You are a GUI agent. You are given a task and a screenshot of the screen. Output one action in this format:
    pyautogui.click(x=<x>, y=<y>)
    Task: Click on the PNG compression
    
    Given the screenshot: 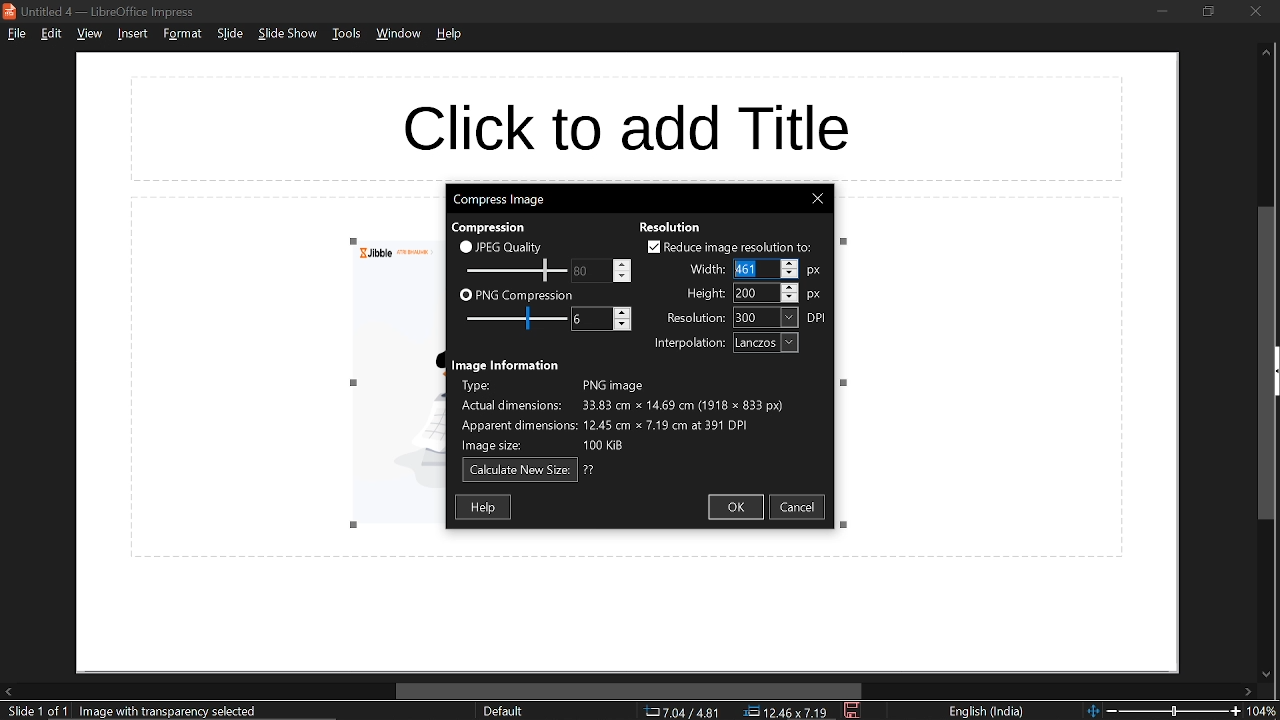 What is the action you would take?
    pyautogui.click(x=526, y=294)
    